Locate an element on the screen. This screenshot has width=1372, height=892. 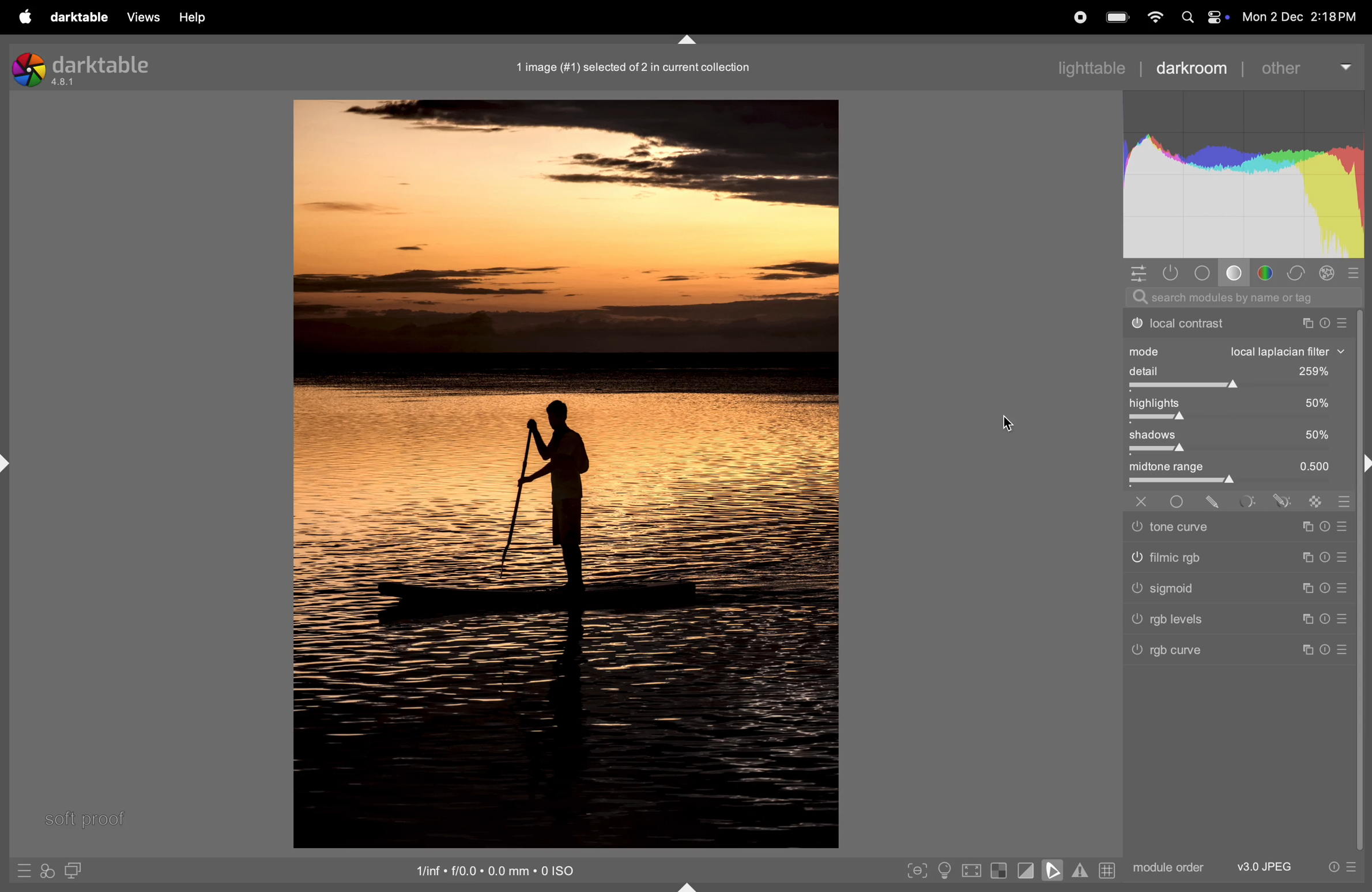
task bar  is located at coordinates (1363, 582).